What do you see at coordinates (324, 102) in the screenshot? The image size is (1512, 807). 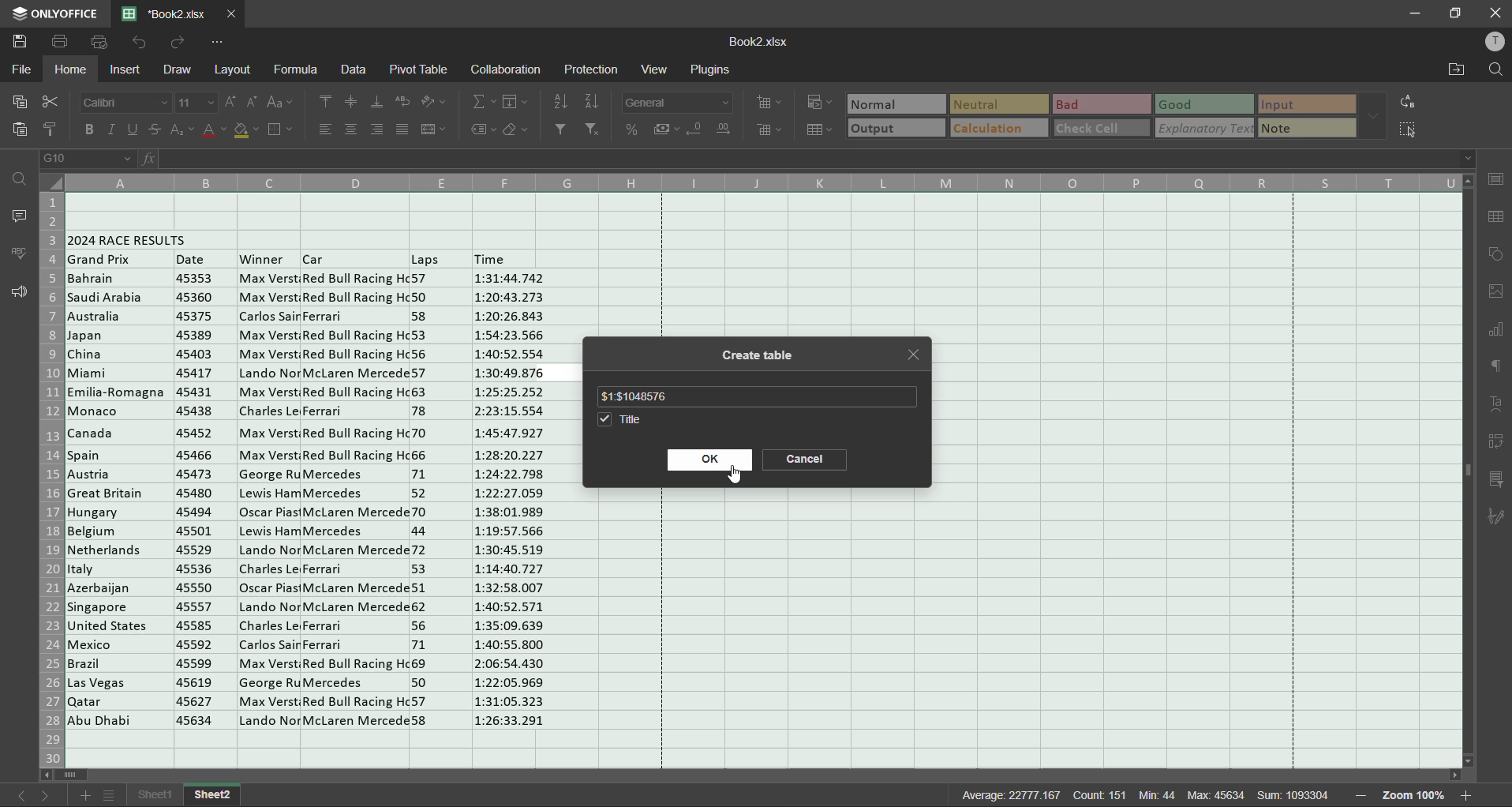 I see `align top` at bounding box center [324, 102].